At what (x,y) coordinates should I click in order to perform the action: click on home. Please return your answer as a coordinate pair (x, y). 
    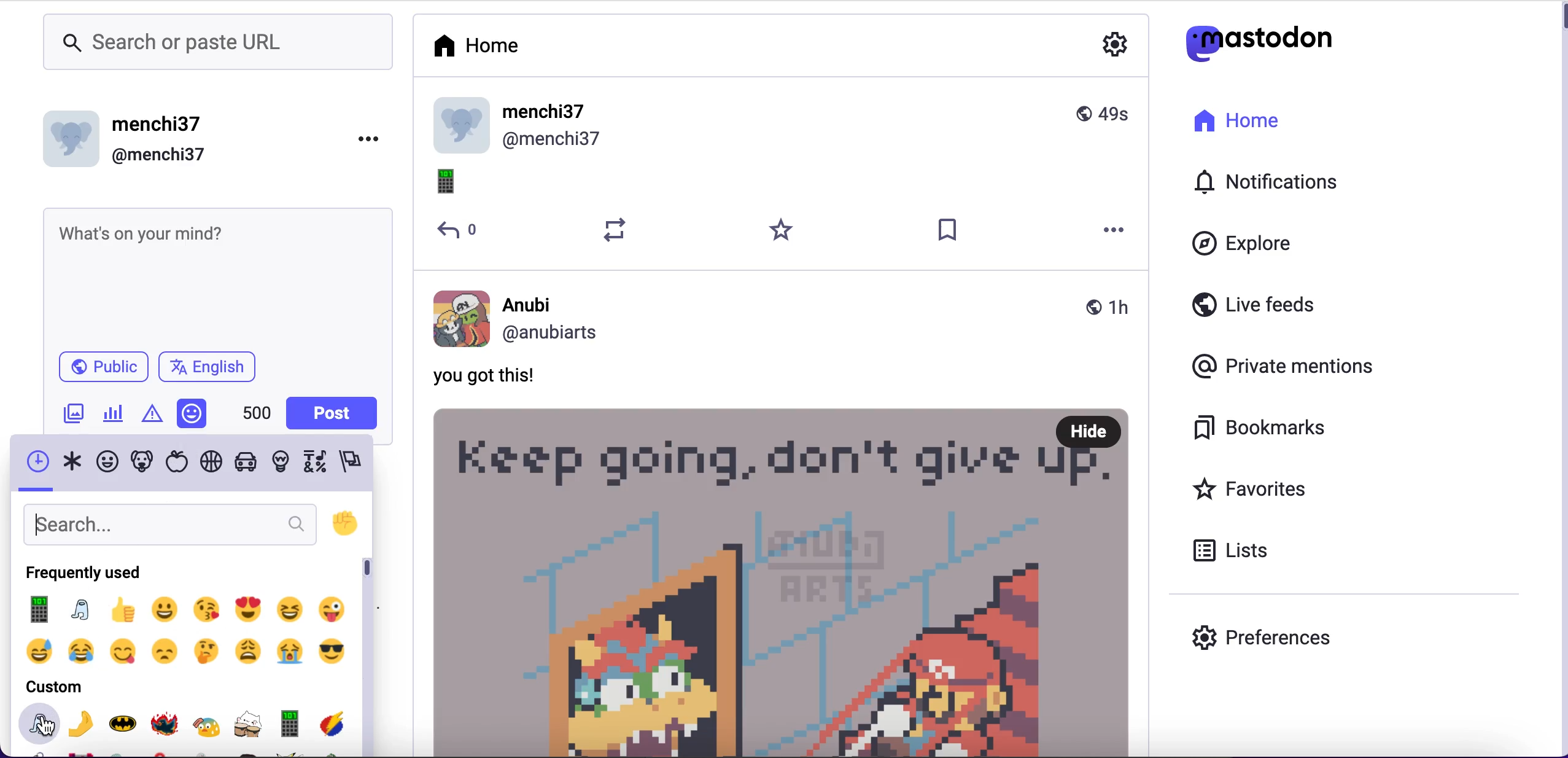
    Looking at the image, I should click on (1234, 121).